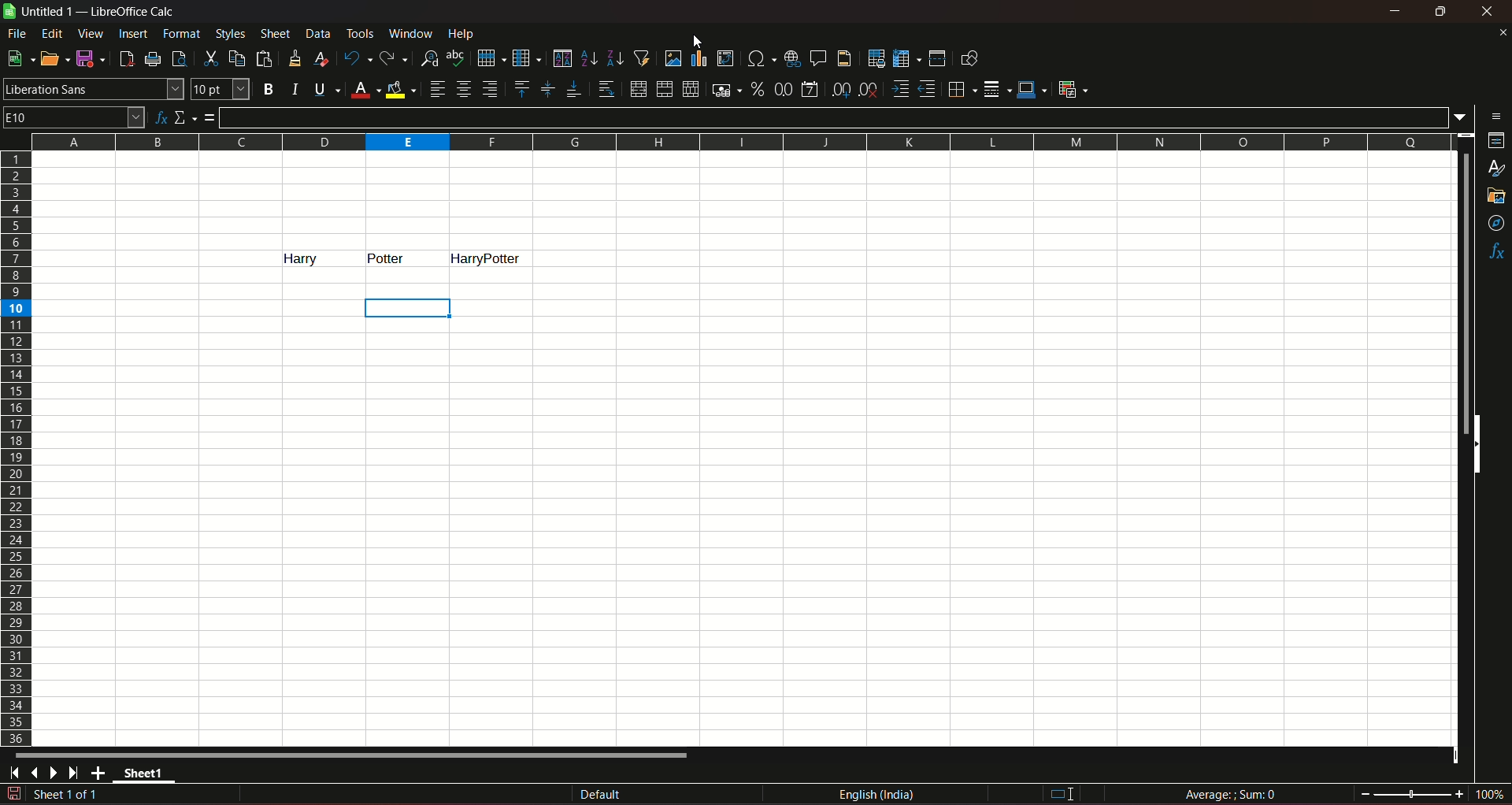 The width and height of the screenshot is (1512, 805). Describe the element at coordinates (1072, 88) in the screenshot. I see `conditional` at that location.